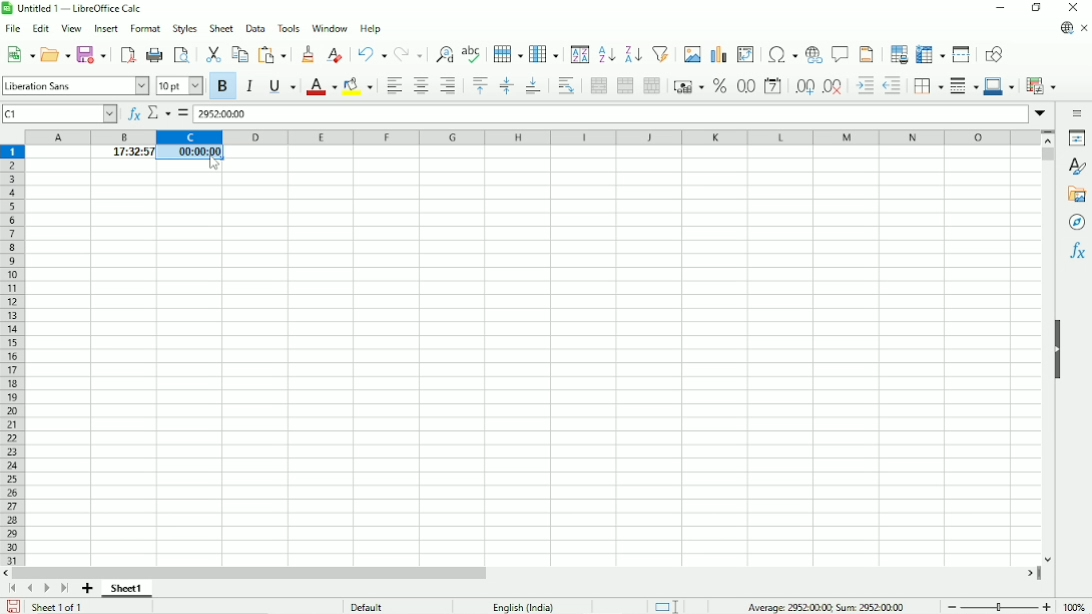 This screenshot has height=614, width=1092. What do you see at coordinates (223, 87) in the screenshot?
I see `Bold` at bounding box center [223, 87].